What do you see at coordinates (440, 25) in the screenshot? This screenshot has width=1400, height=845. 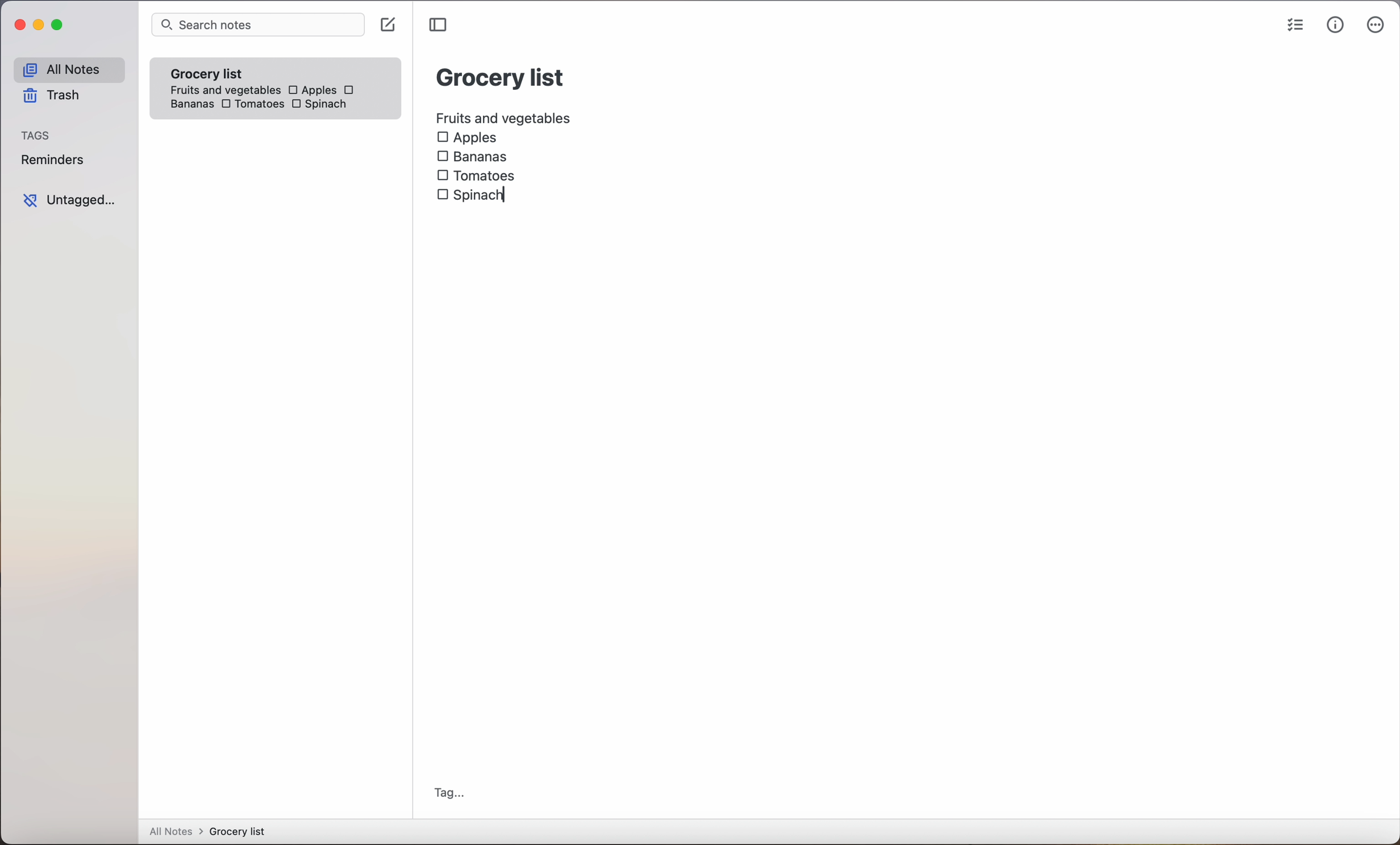 I see `toggle sidebar` at bounding box center [440, 25].